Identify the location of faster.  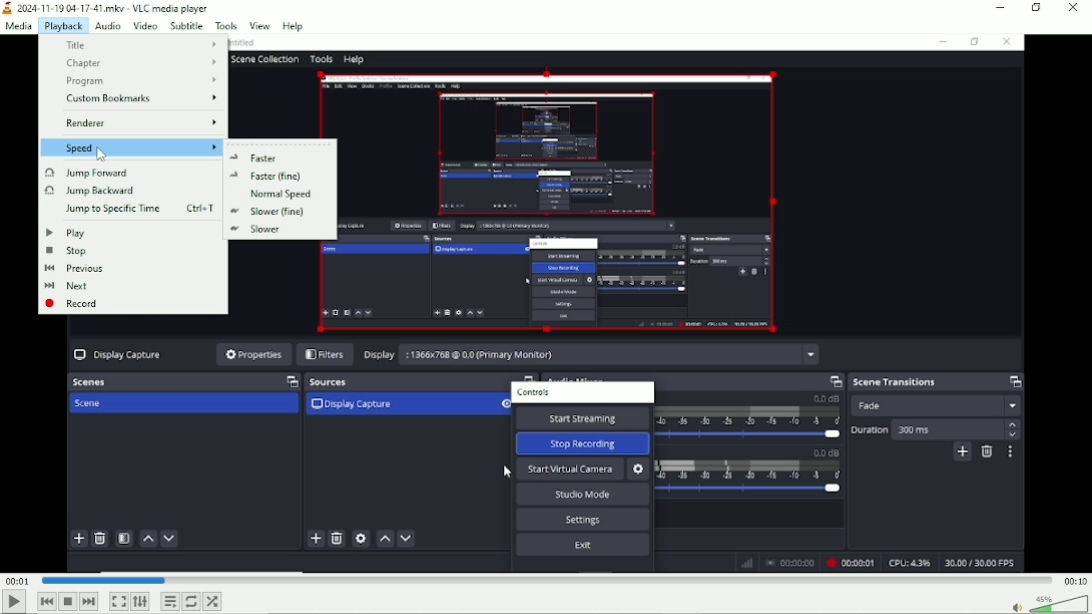
(280, 155).